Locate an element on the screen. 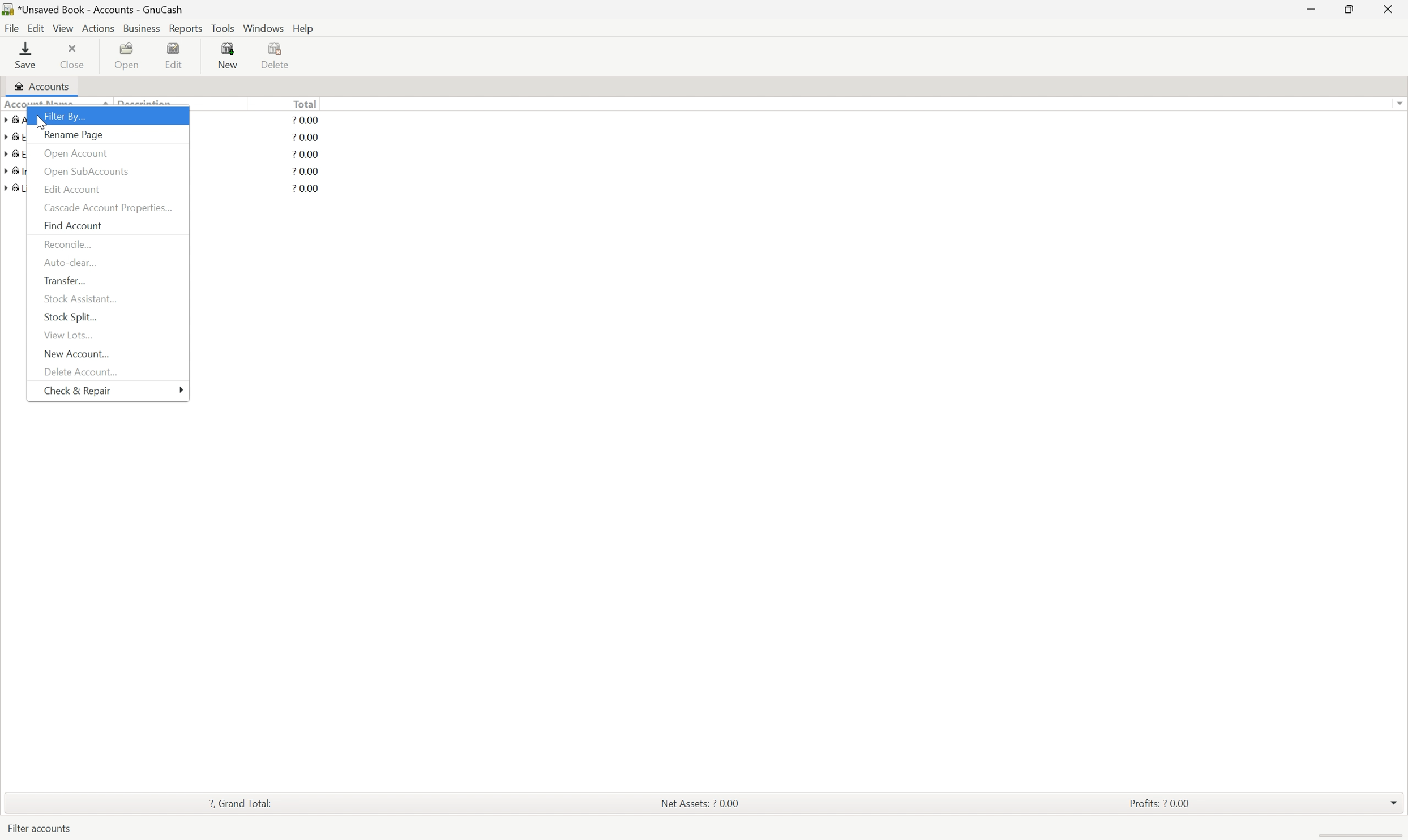  View is located at coordinates (63, 28).